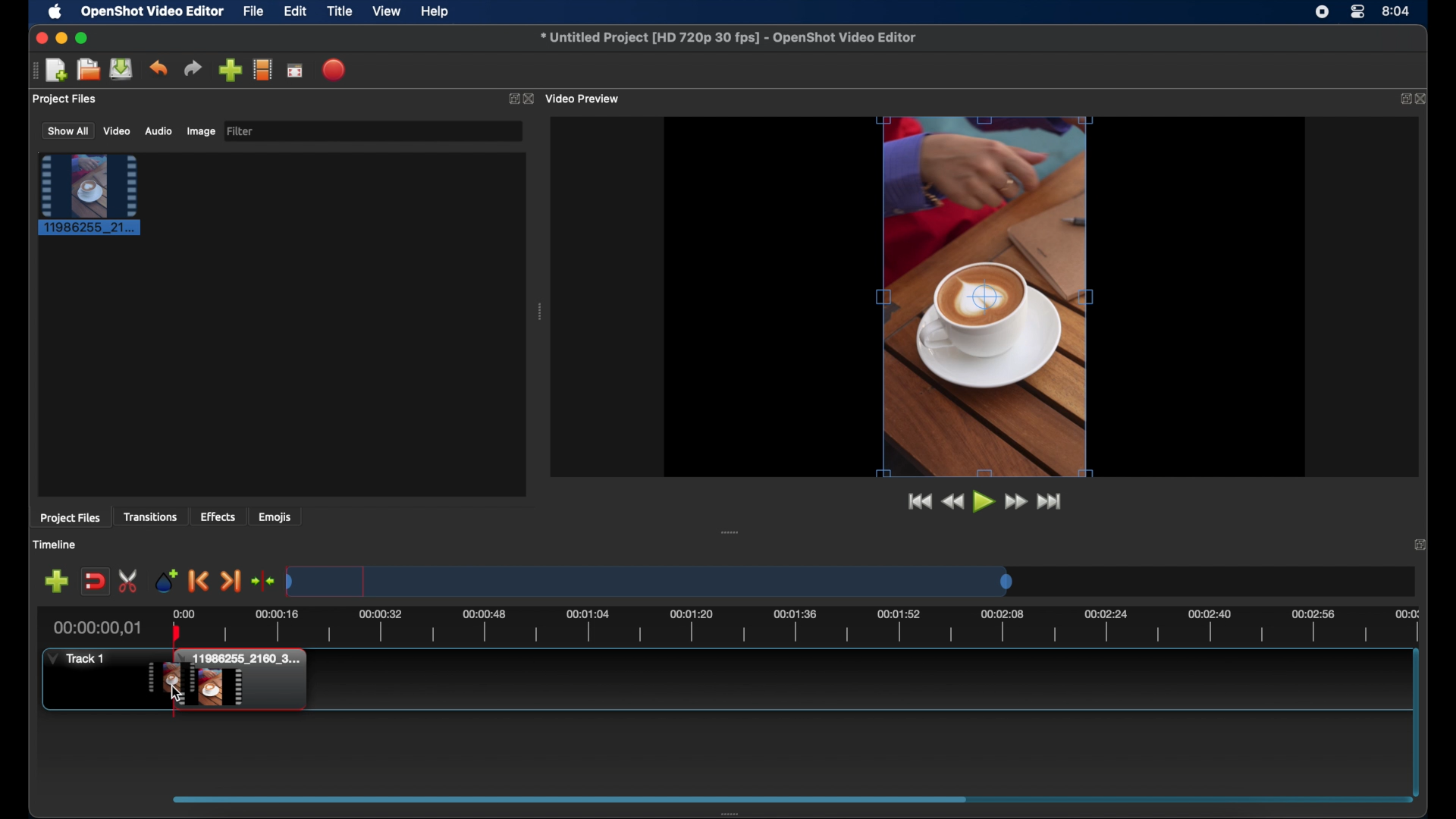 This screenshot has width=1456, height=819. I want to click on new project, so click(58, 69).